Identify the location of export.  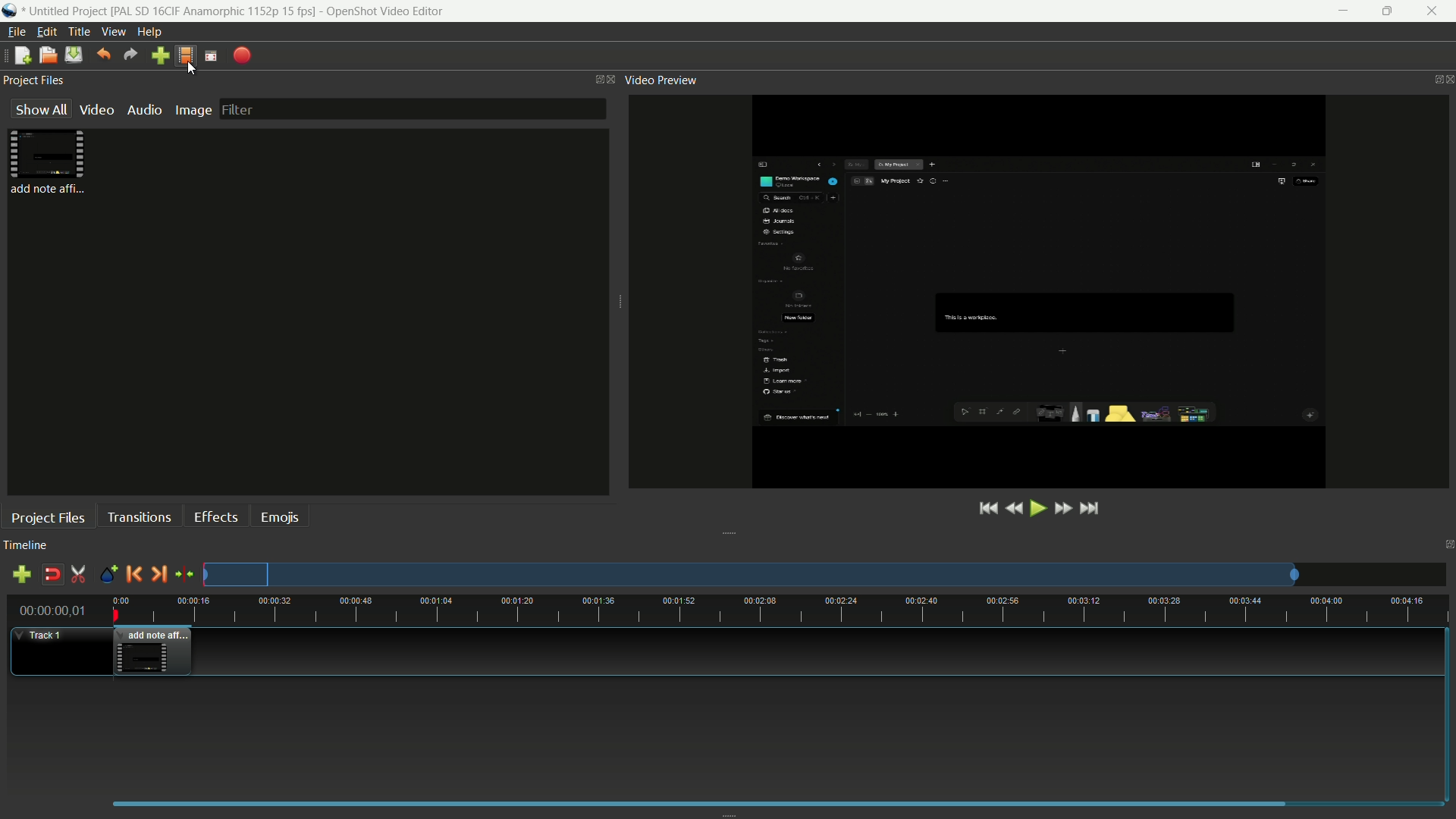
(242, 56).